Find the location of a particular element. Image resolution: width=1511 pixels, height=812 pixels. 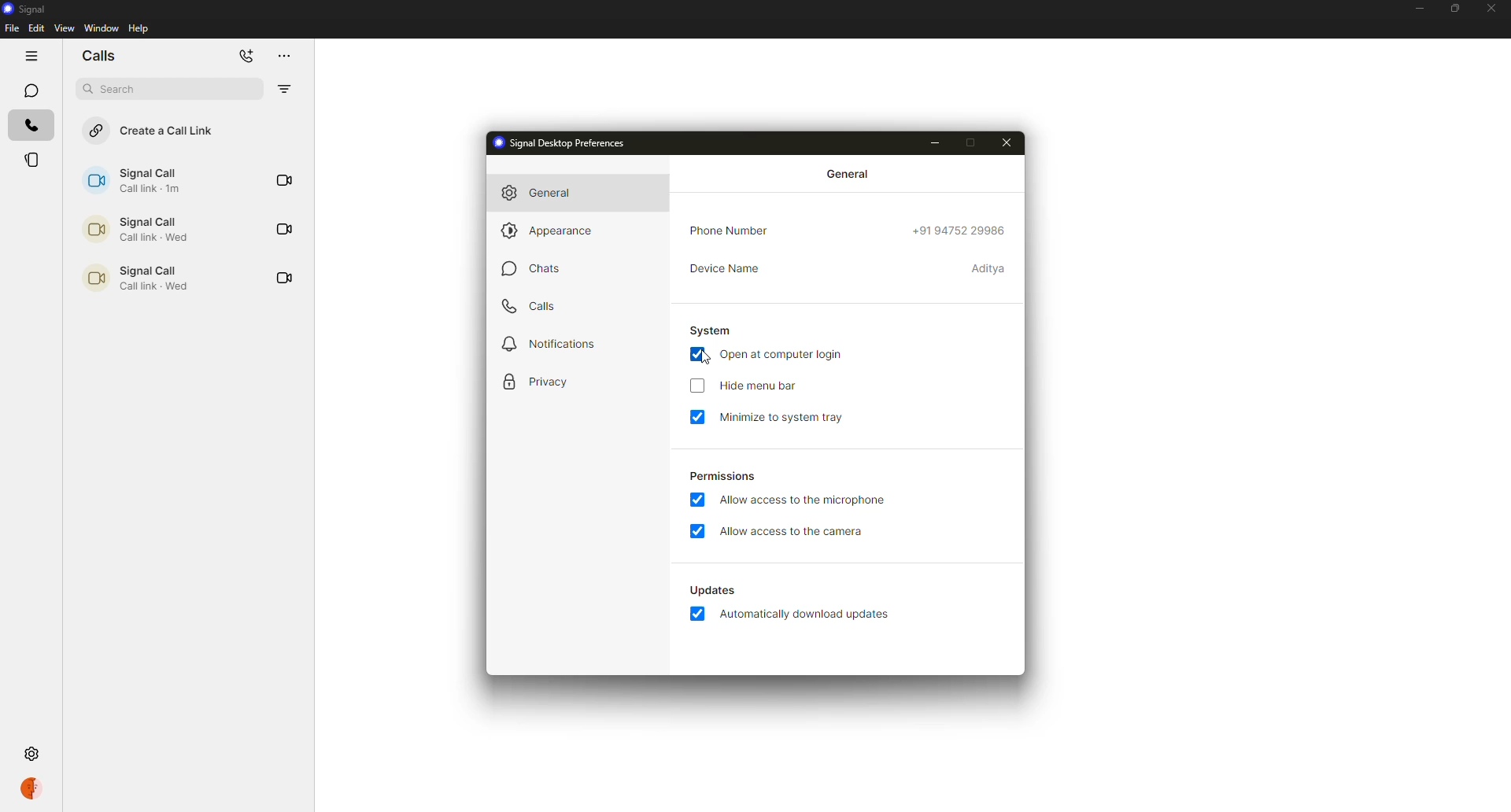

cursor is located at coordinates (702, 357).